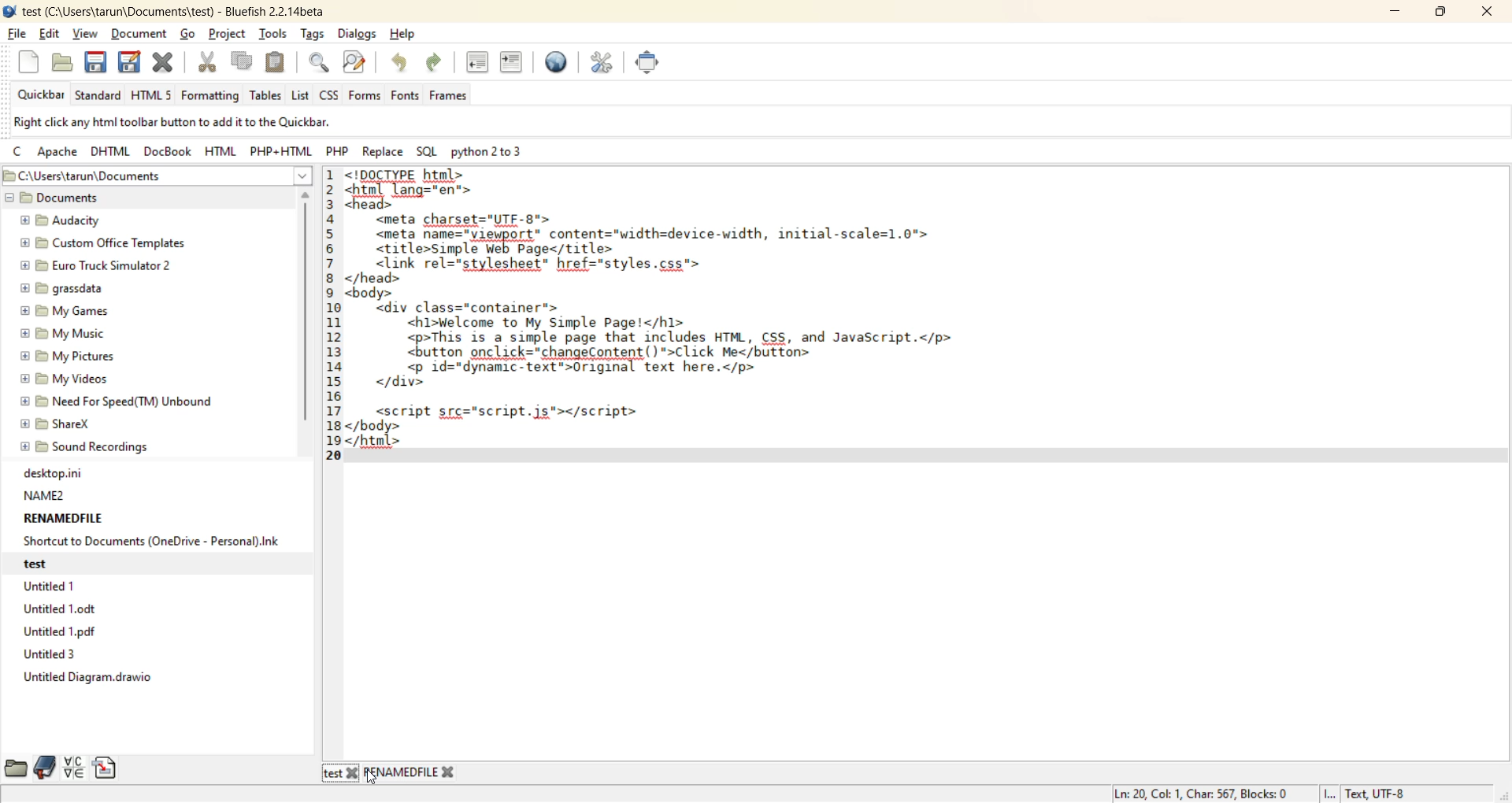 The height and width of the screenshot is (803, 1512). I want to click on unindent, so click(478, 62).